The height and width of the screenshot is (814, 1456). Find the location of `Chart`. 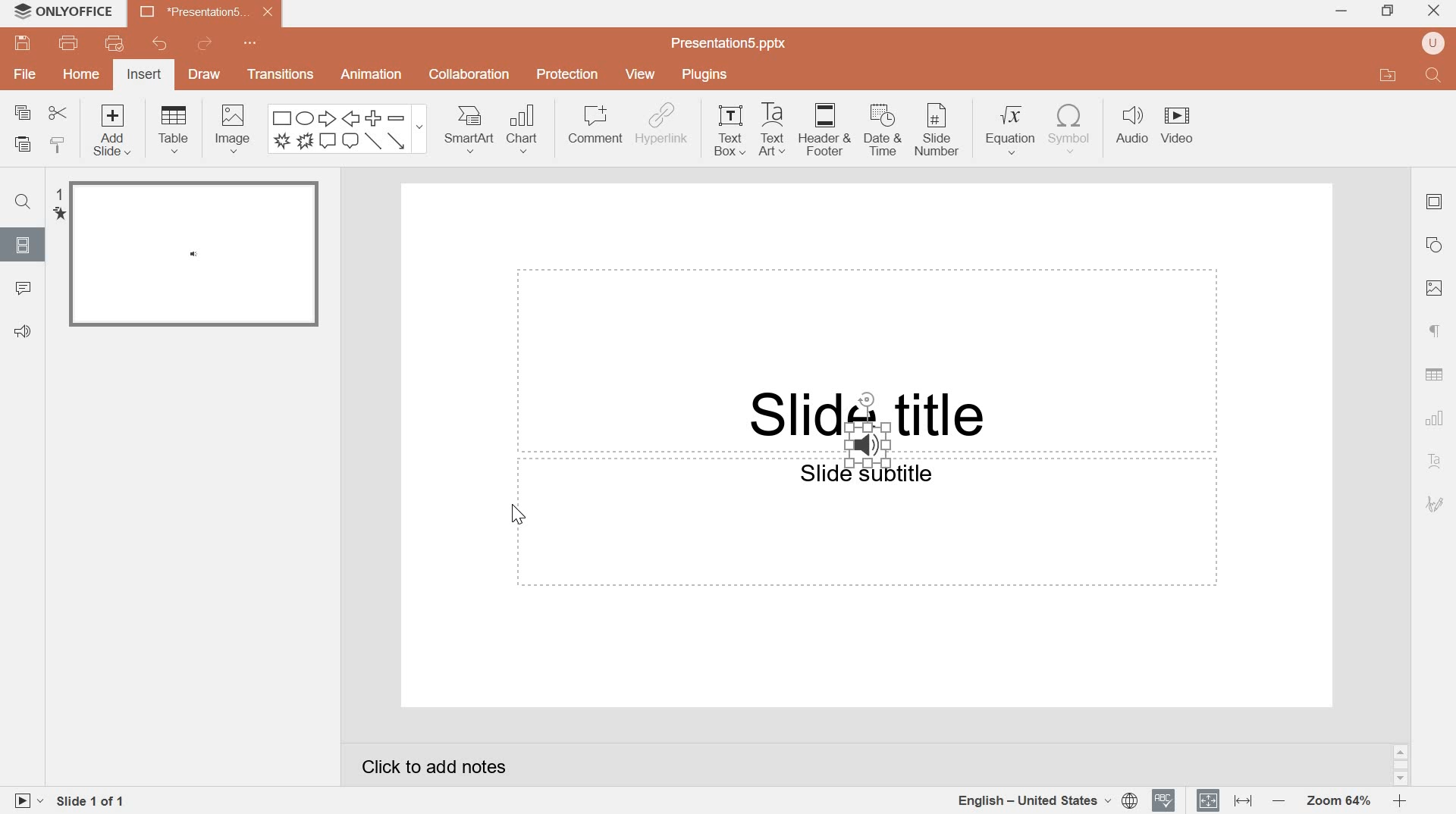

Chart is located at coordinates (526, 130).